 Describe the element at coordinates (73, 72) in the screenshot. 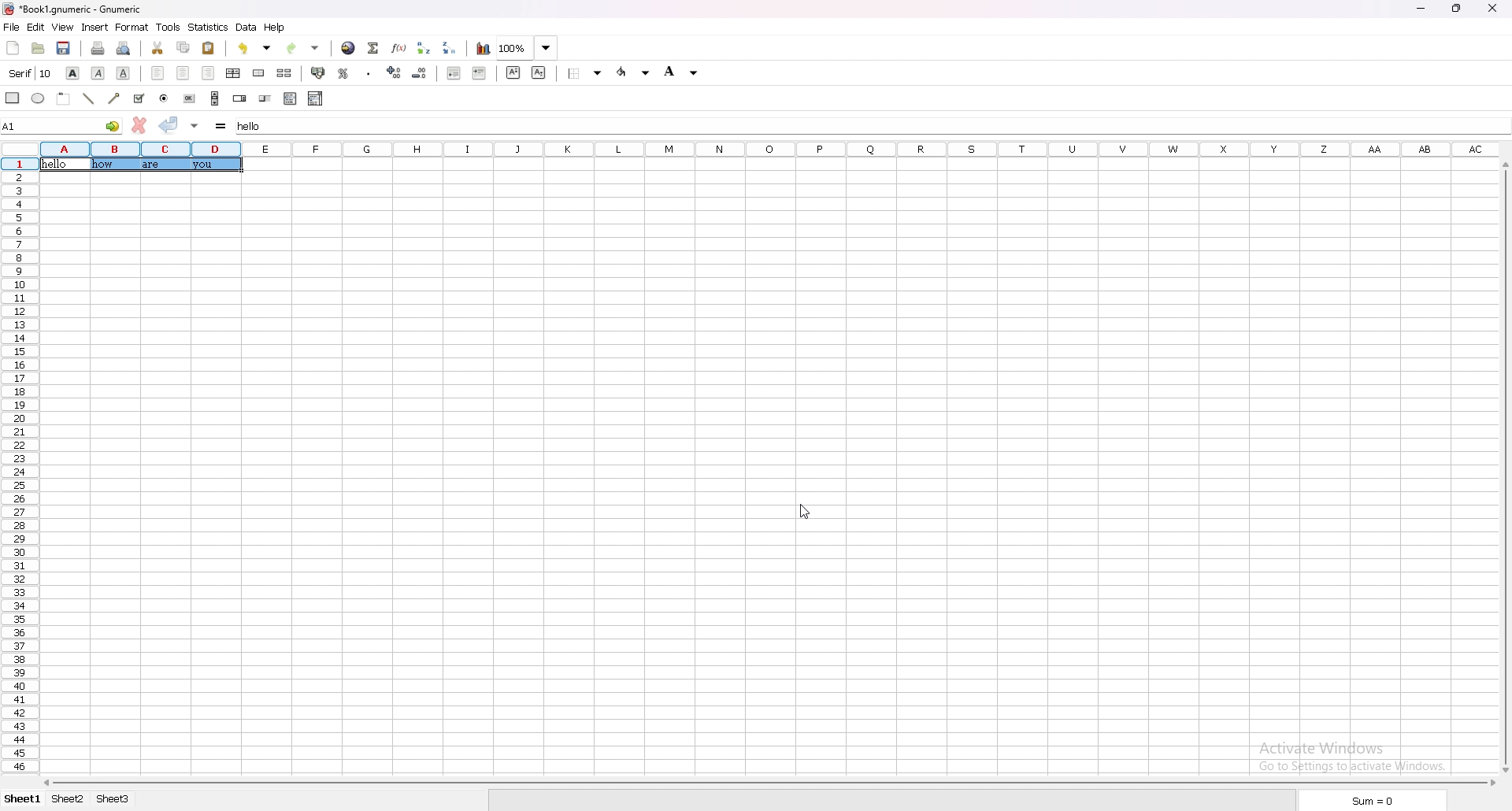

I see `bold` at that location.